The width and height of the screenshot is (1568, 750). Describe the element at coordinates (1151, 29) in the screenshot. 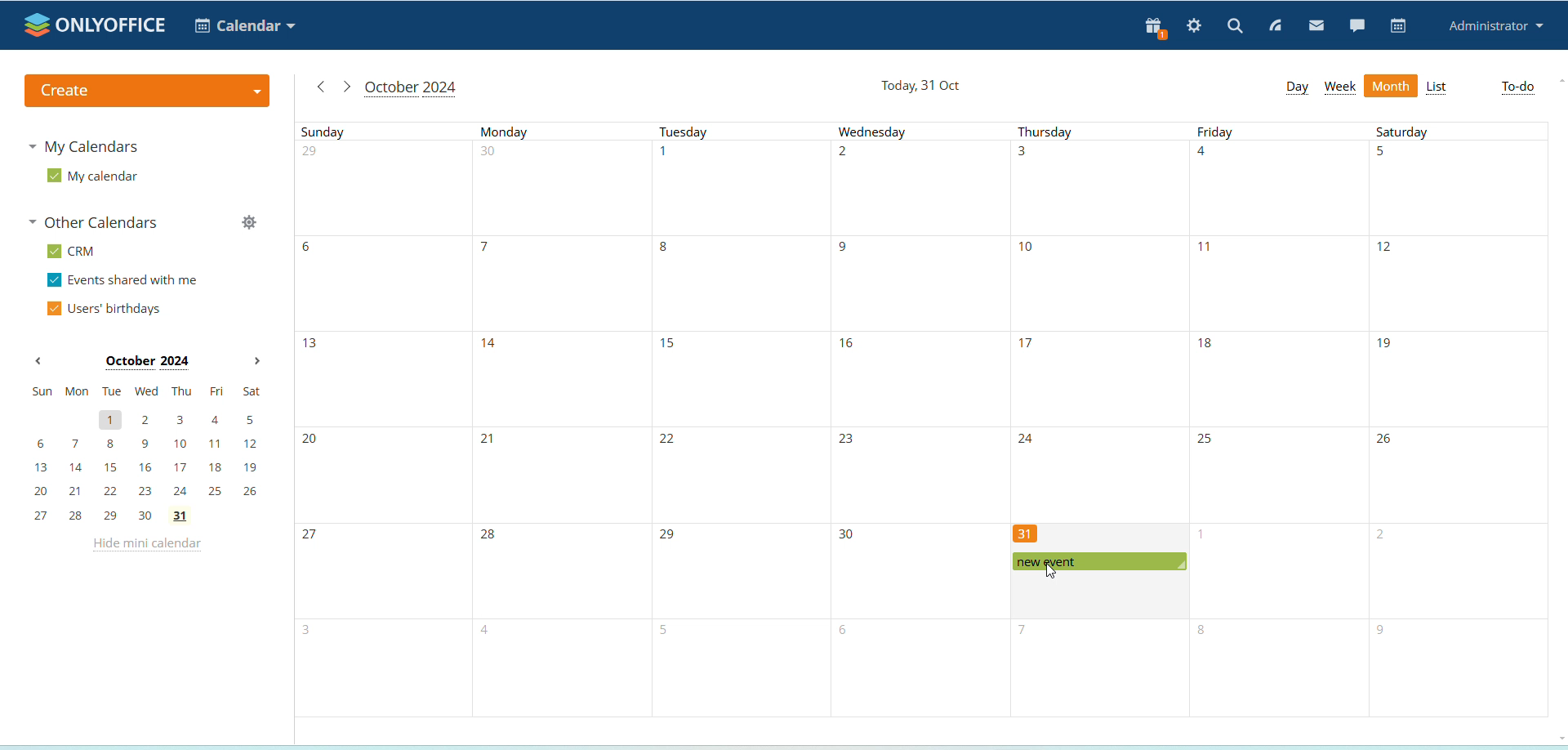

I see `present` at that location.